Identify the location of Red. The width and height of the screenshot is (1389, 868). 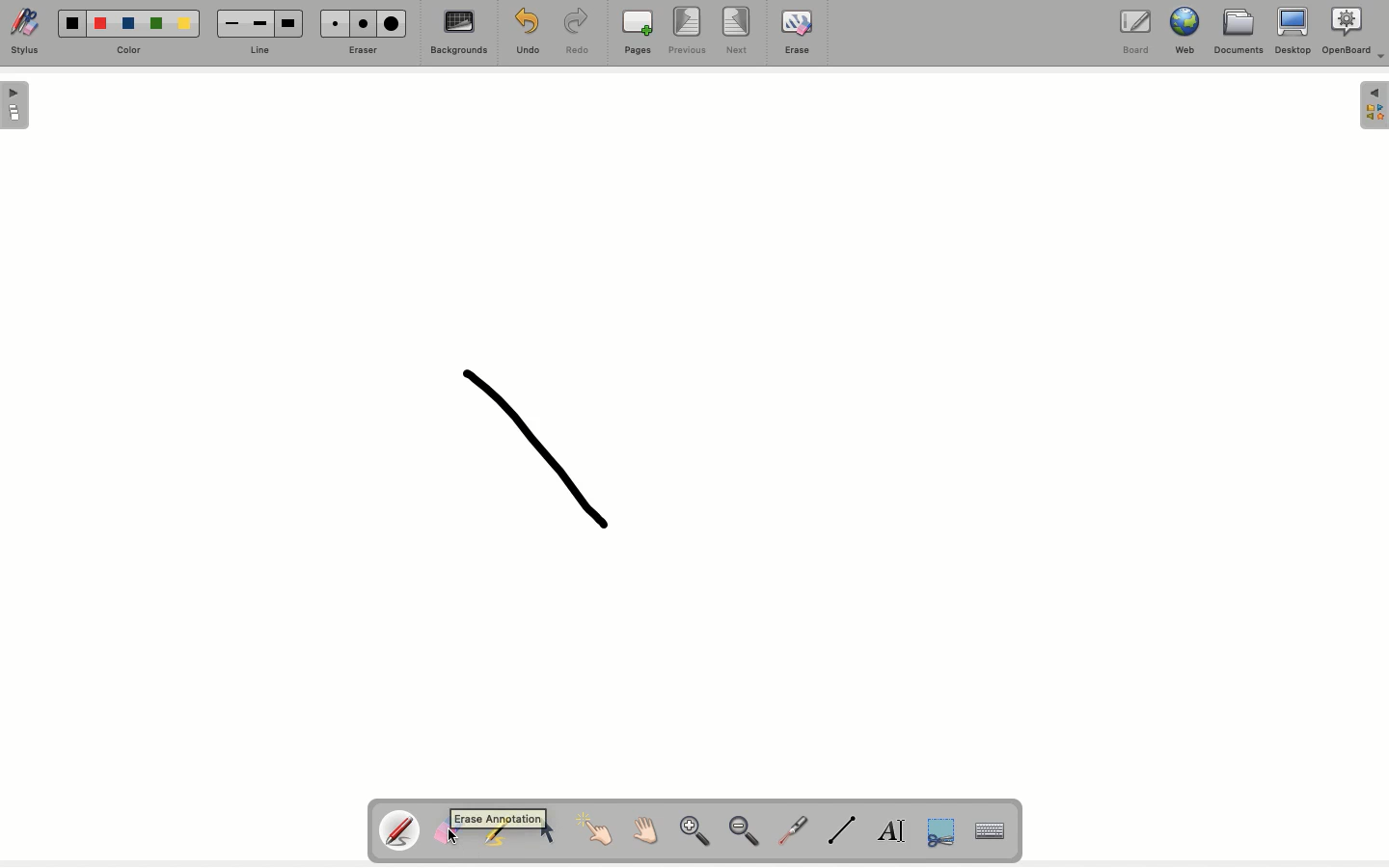
(101, 26).